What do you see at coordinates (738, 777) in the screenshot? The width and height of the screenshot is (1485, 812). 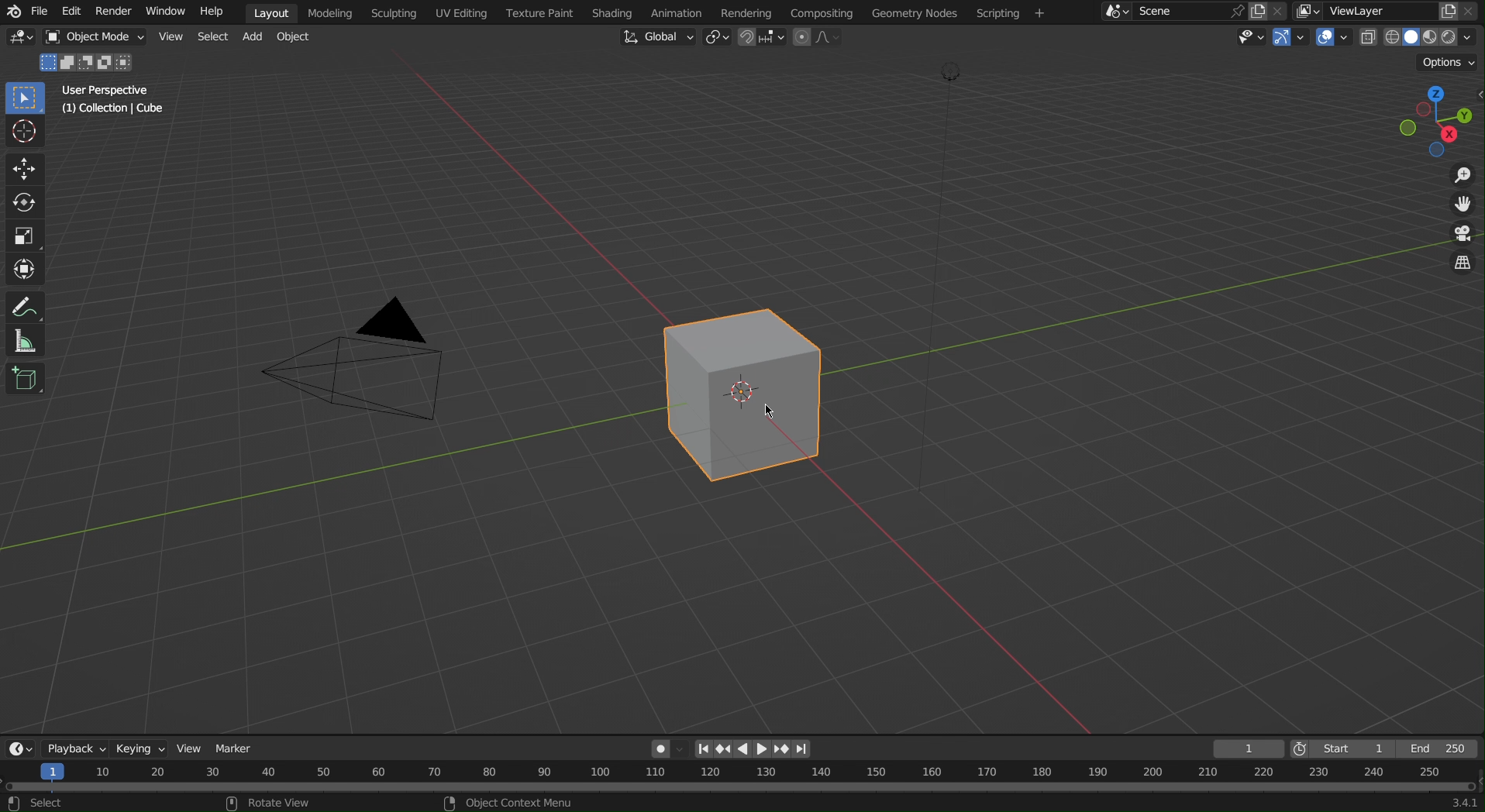 I see `Timeline` at bounding box center [738, 777].